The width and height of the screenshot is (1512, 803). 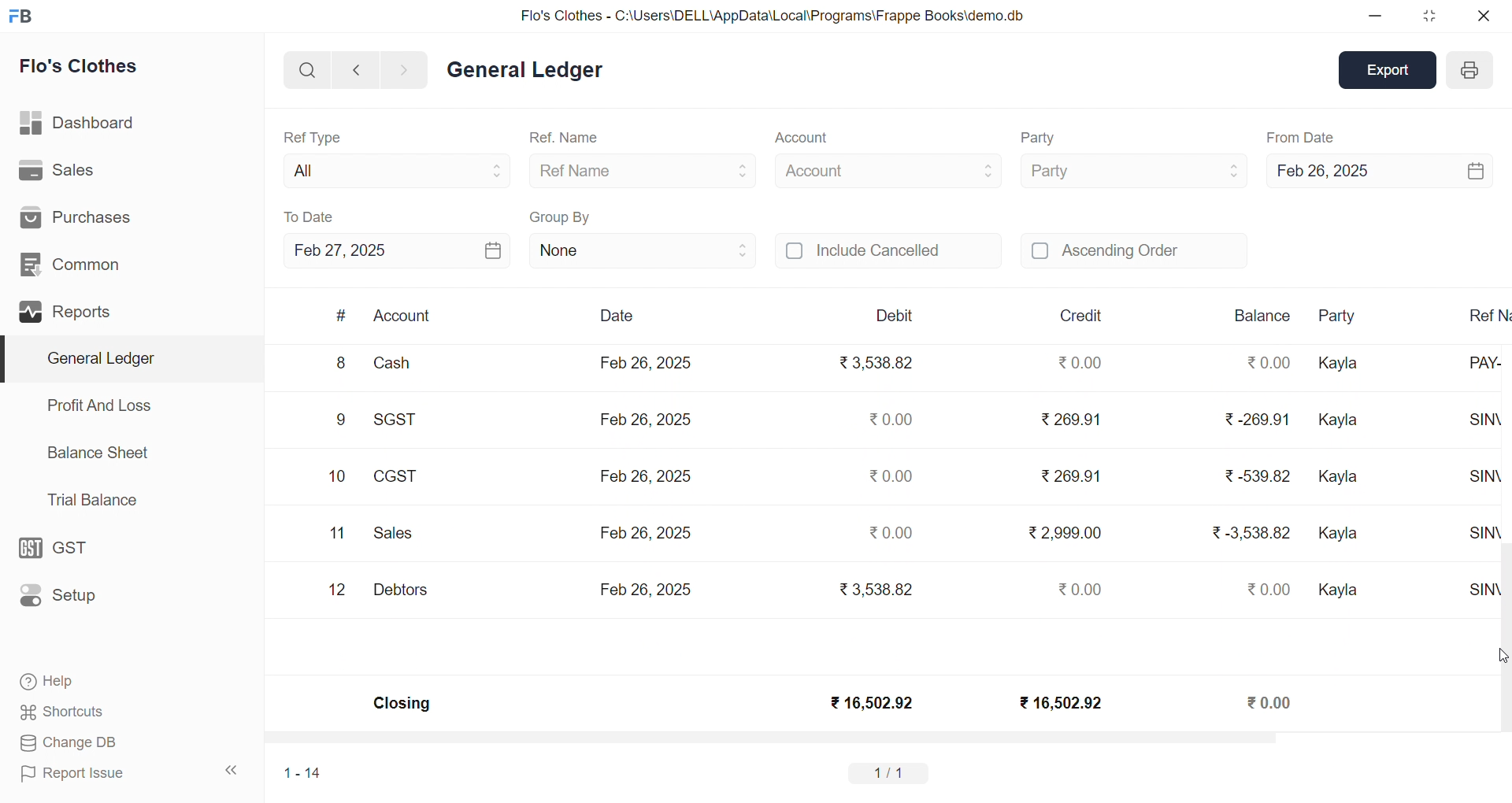 What do you see at coordinates (1041, 139) in the screenshot?
I see `Party` at bounding box center [1041, 139].